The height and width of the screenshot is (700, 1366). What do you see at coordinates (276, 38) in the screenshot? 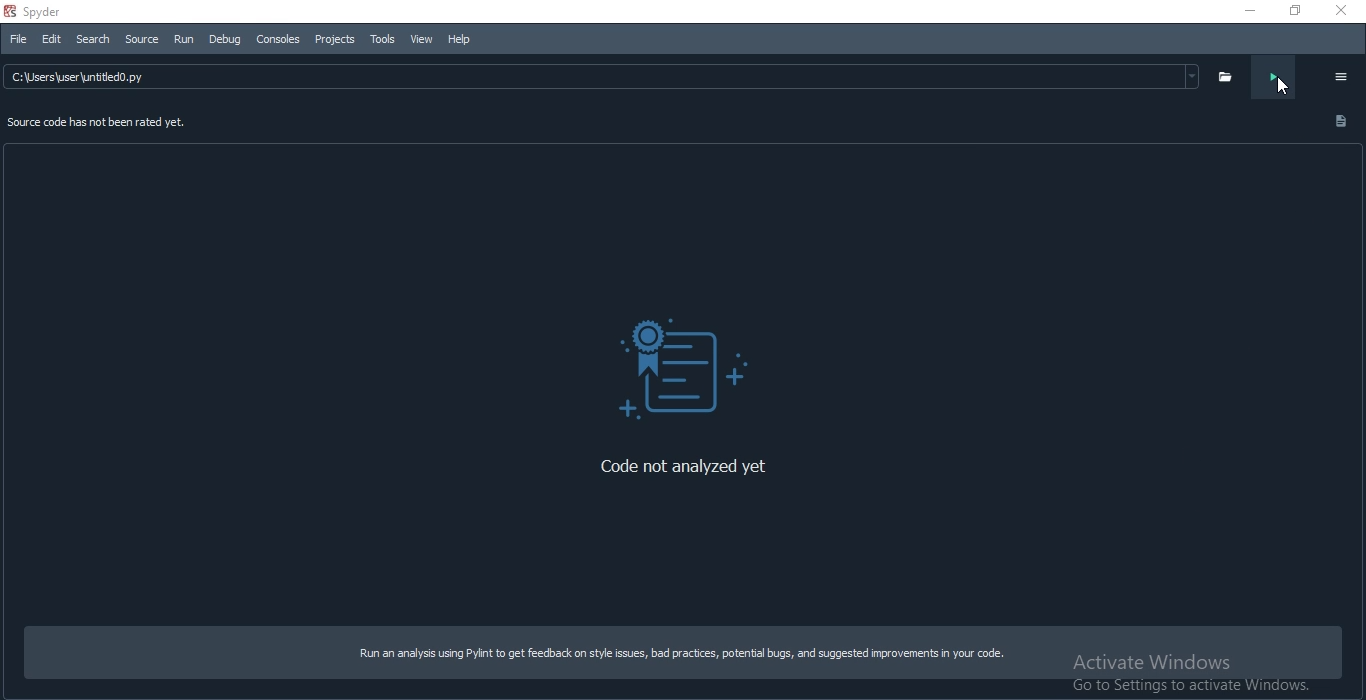
I see `consoles` at bounding box center [276, 38].